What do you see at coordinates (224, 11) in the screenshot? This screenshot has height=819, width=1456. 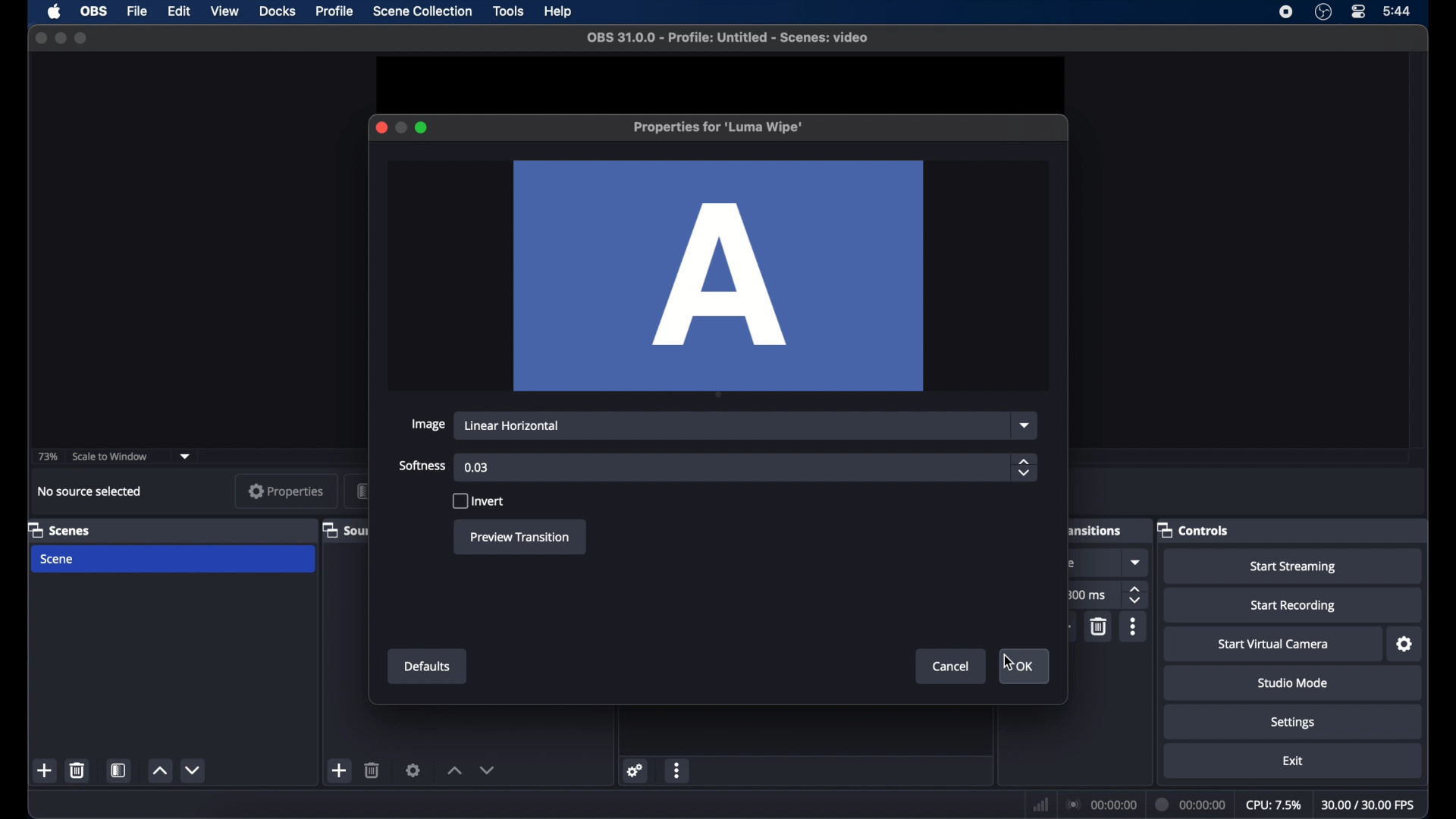 I see `view` at bounding box center [224, 11].